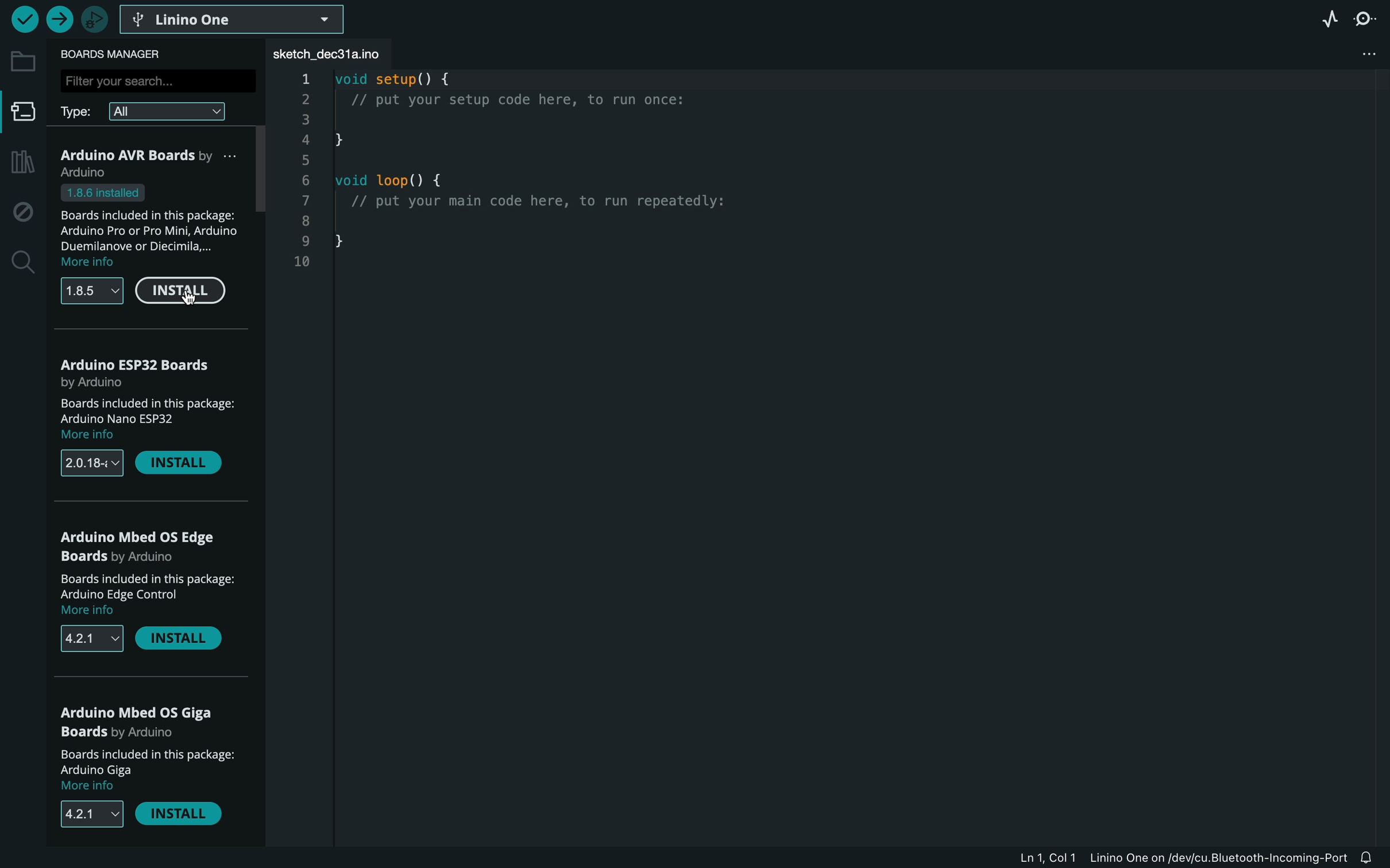 Image resolution: width=1390 pixels, height=868 pixels. Describe the element at coordinates (234, 18) in the screenshot. I see `select board` at that location.